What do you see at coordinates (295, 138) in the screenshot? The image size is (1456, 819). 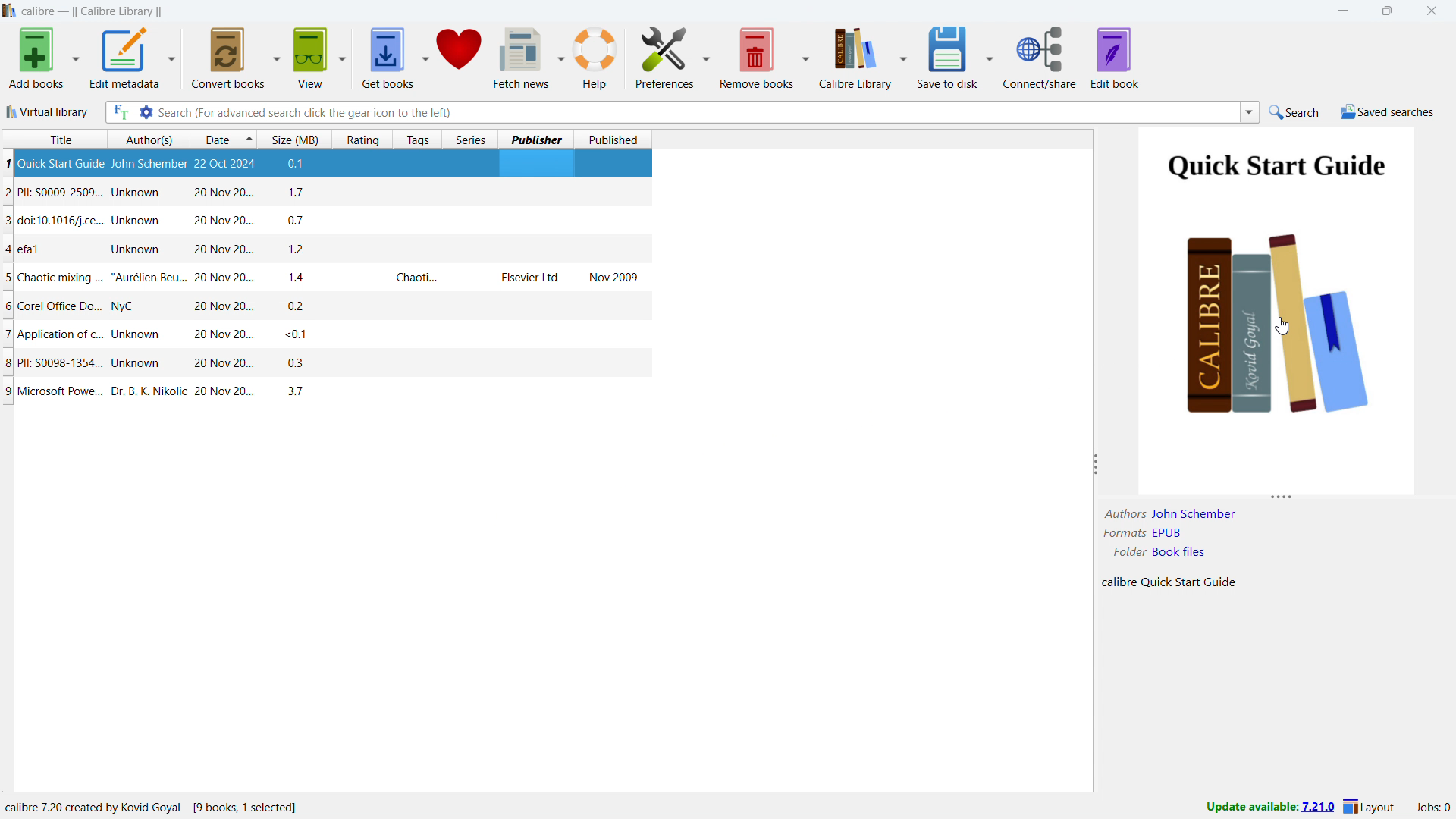 I see `size` at bounding box center [295, 138].